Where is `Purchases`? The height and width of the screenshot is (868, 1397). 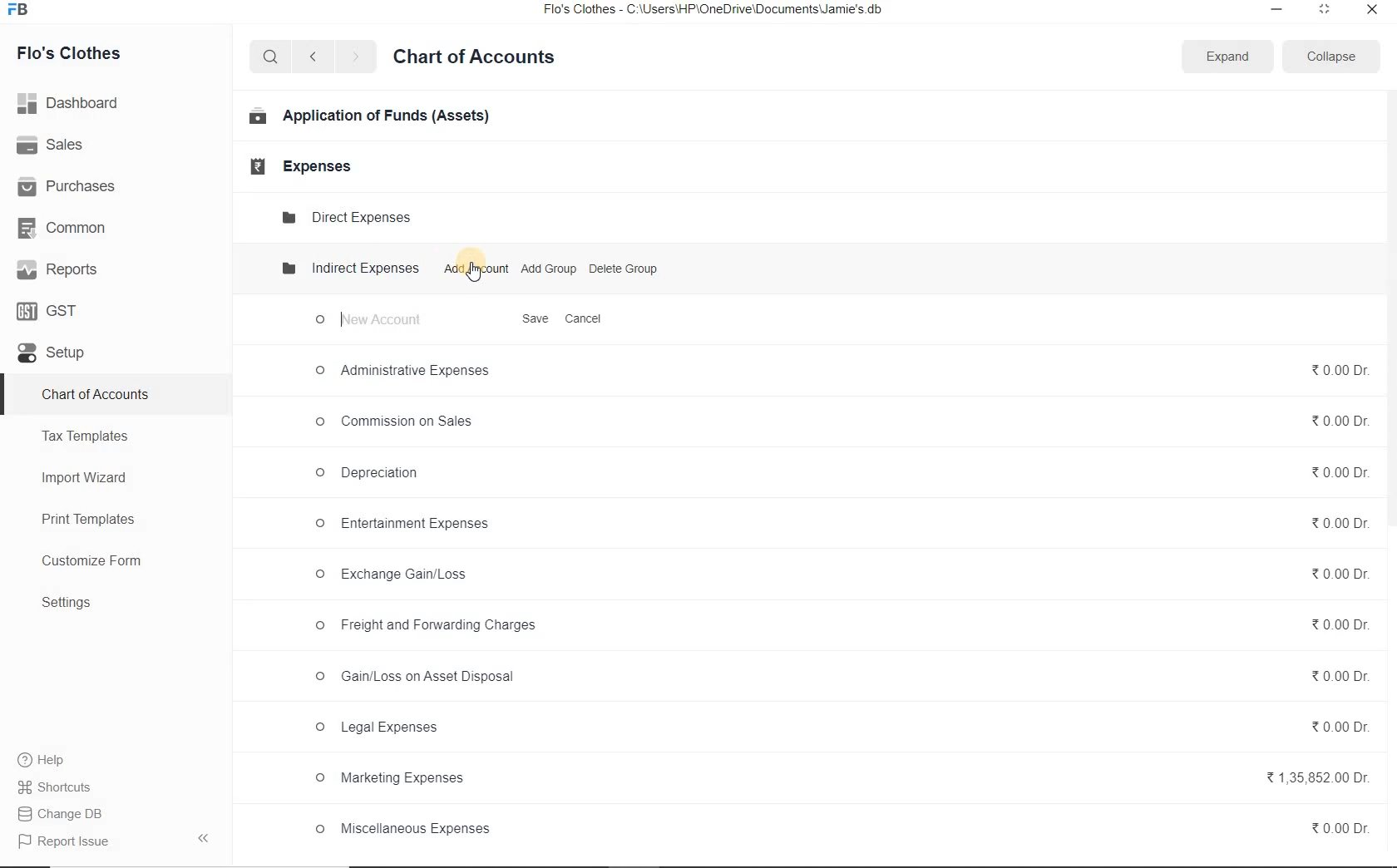 Purchases is located at coordinates (69, 187).